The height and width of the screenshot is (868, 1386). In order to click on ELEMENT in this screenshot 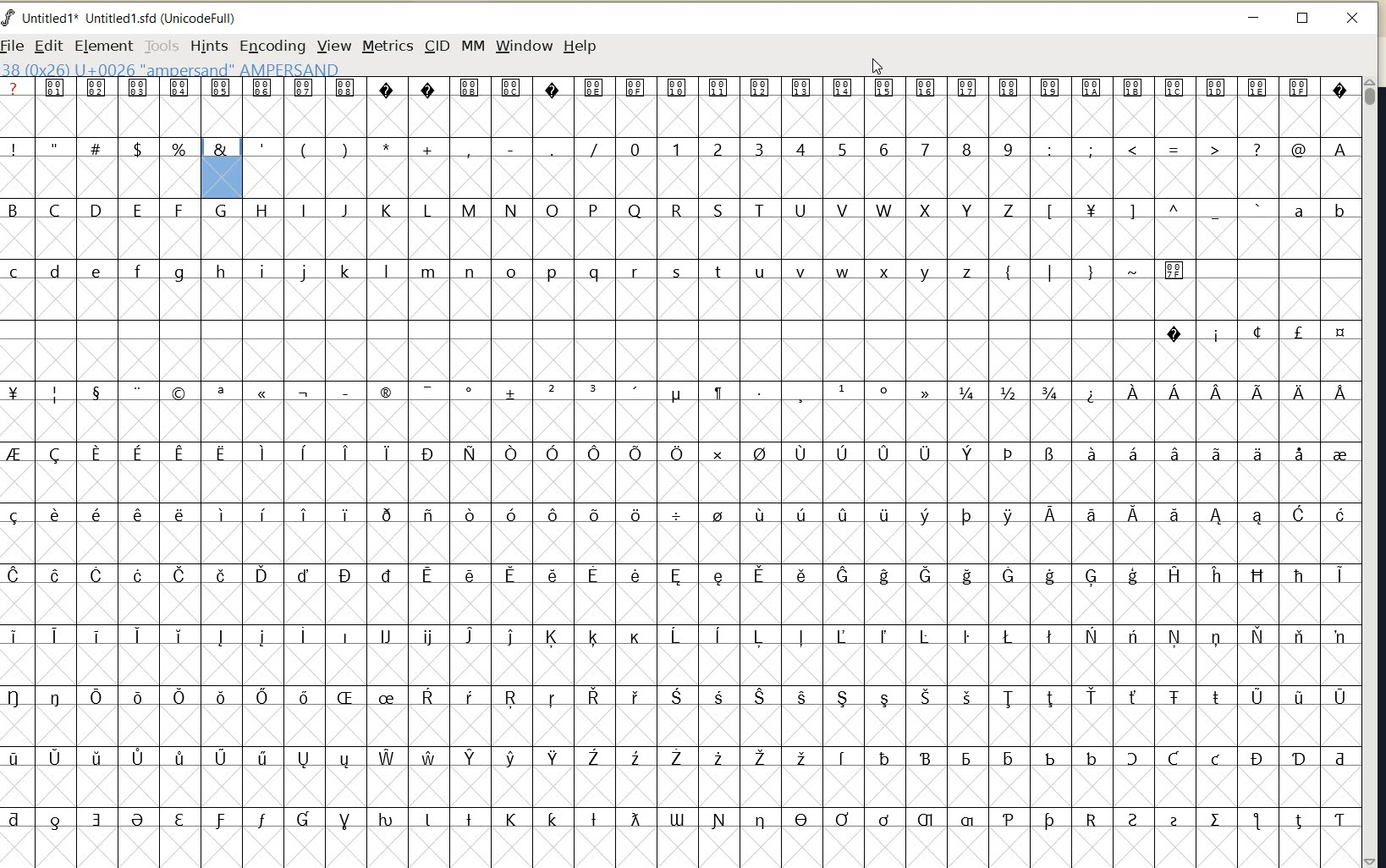, I will do `click(101, 46)`.